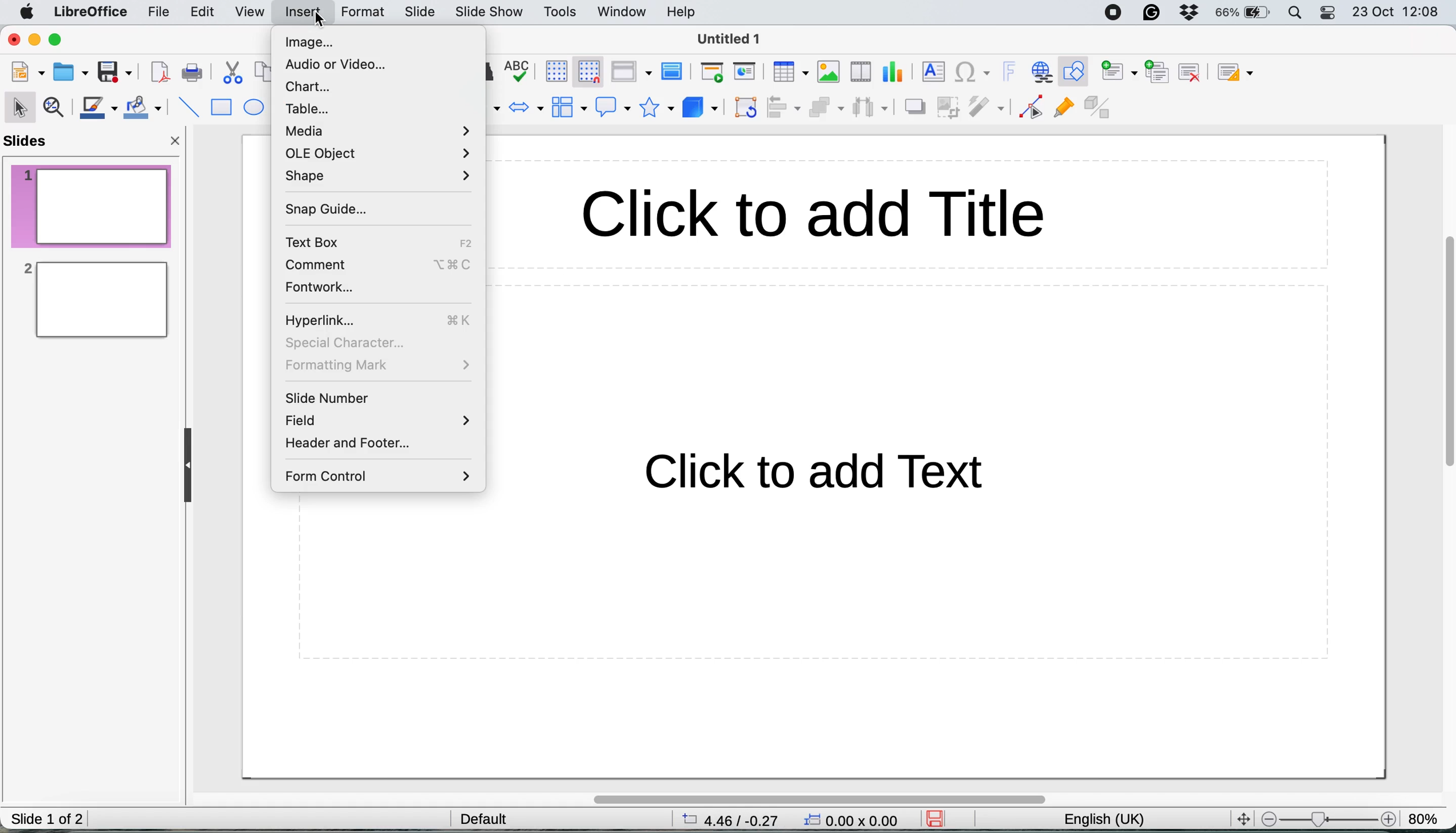 Image resolution: width=1456 pixels, height=833 pixels. I want to click on display grid, so click(552, 70).